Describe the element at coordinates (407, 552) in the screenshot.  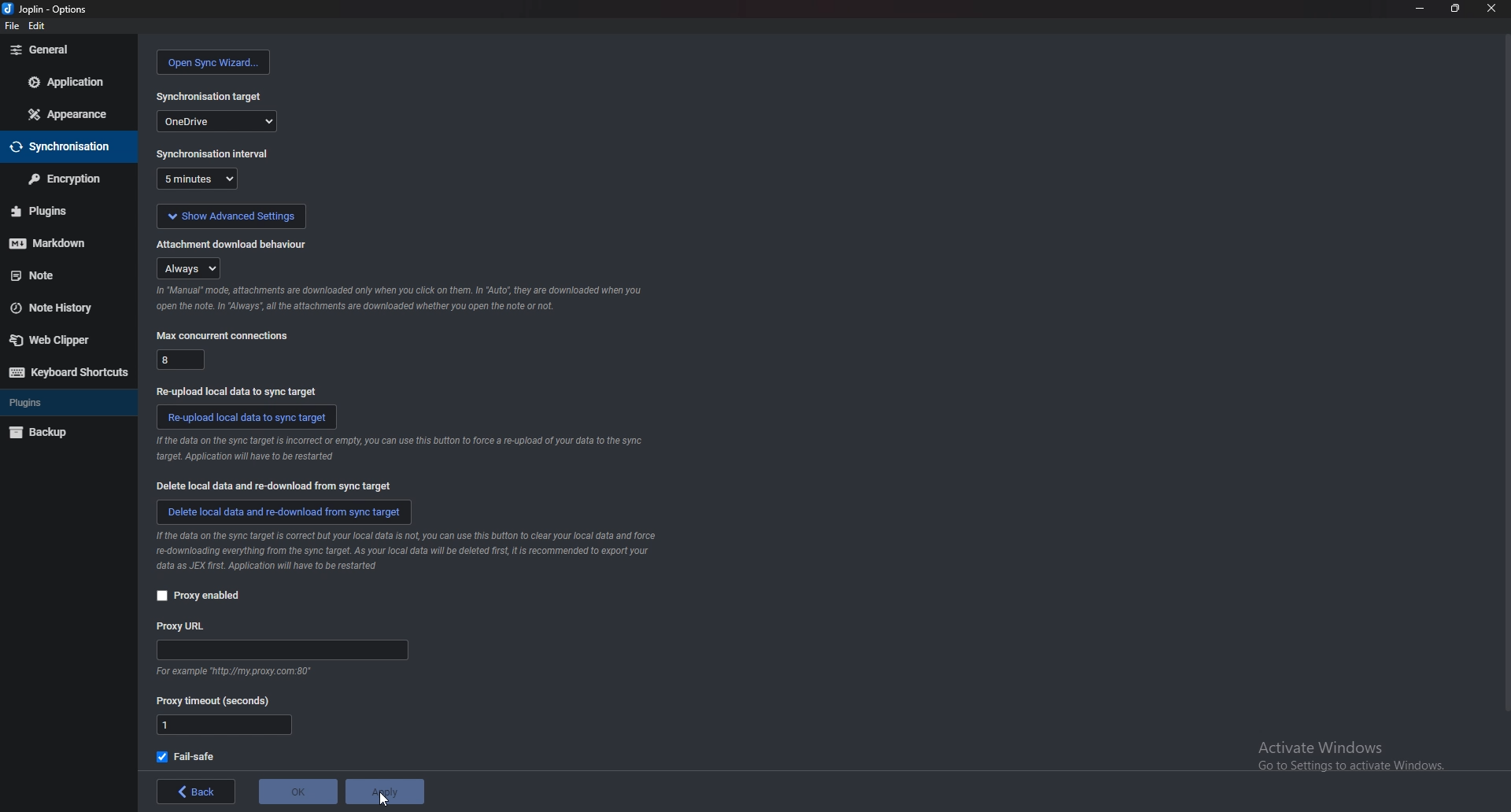
I see `info` at that location.